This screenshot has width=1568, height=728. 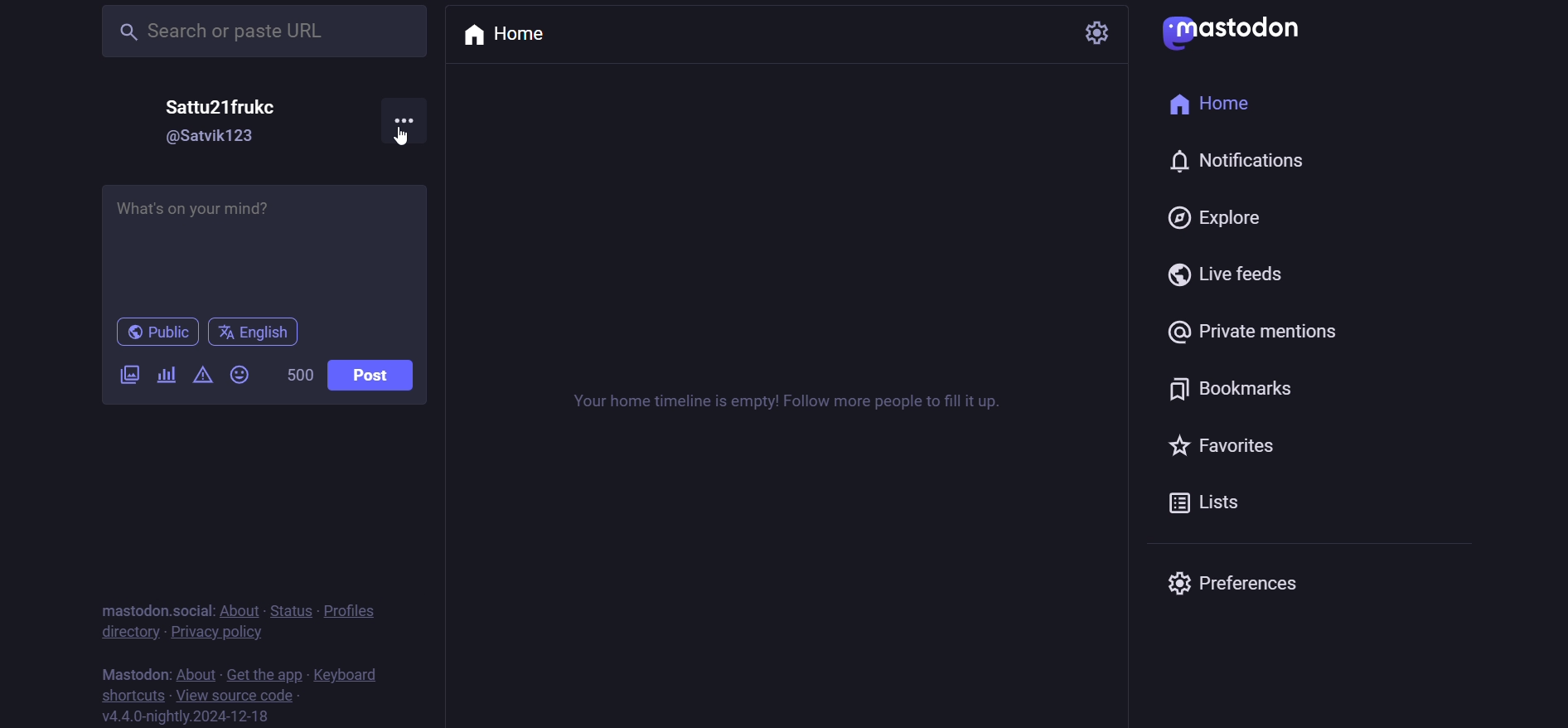 I want to click on source code, so click(x=238, y=694).